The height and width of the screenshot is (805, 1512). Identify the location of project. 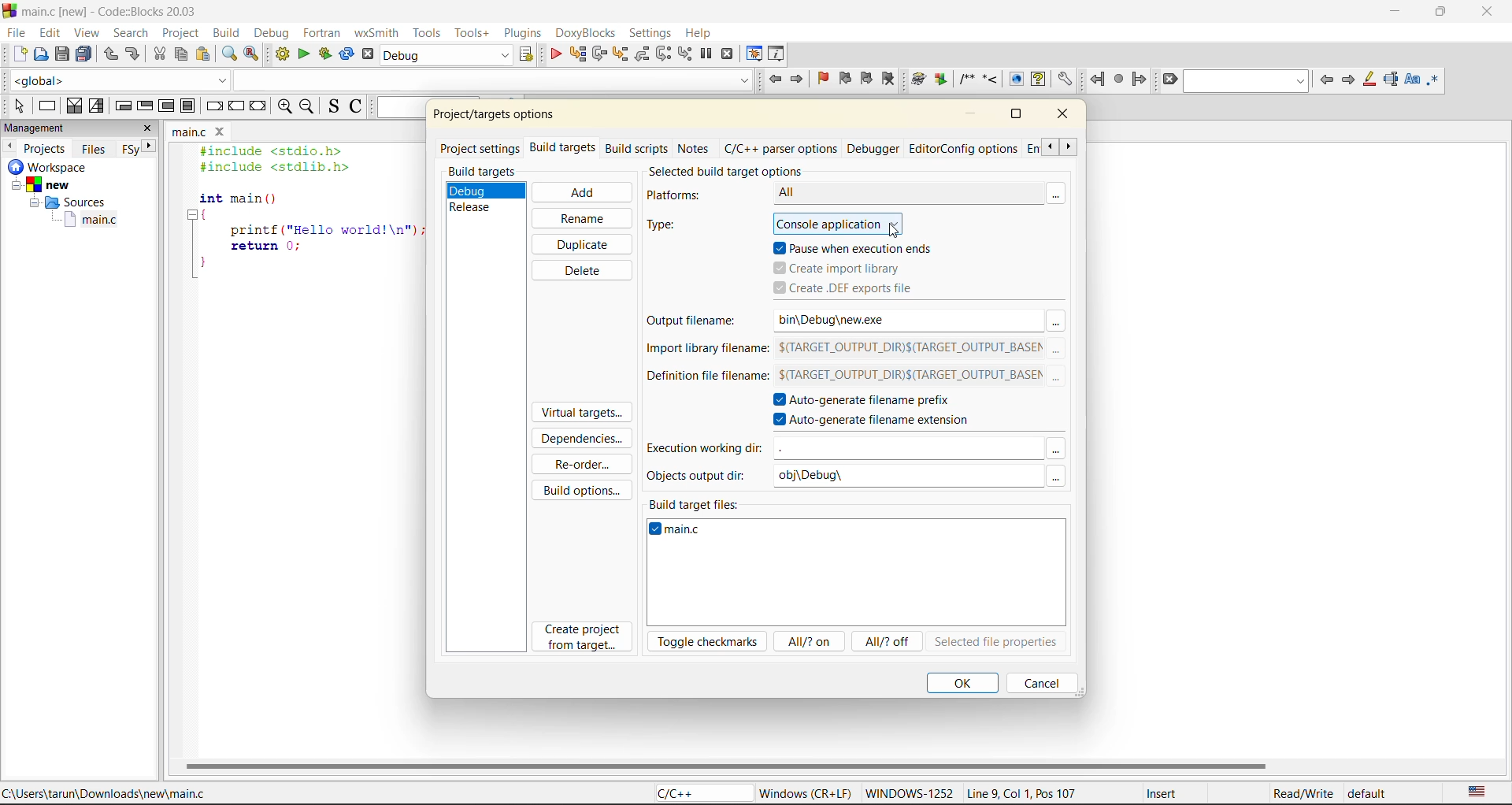
(182, 31).